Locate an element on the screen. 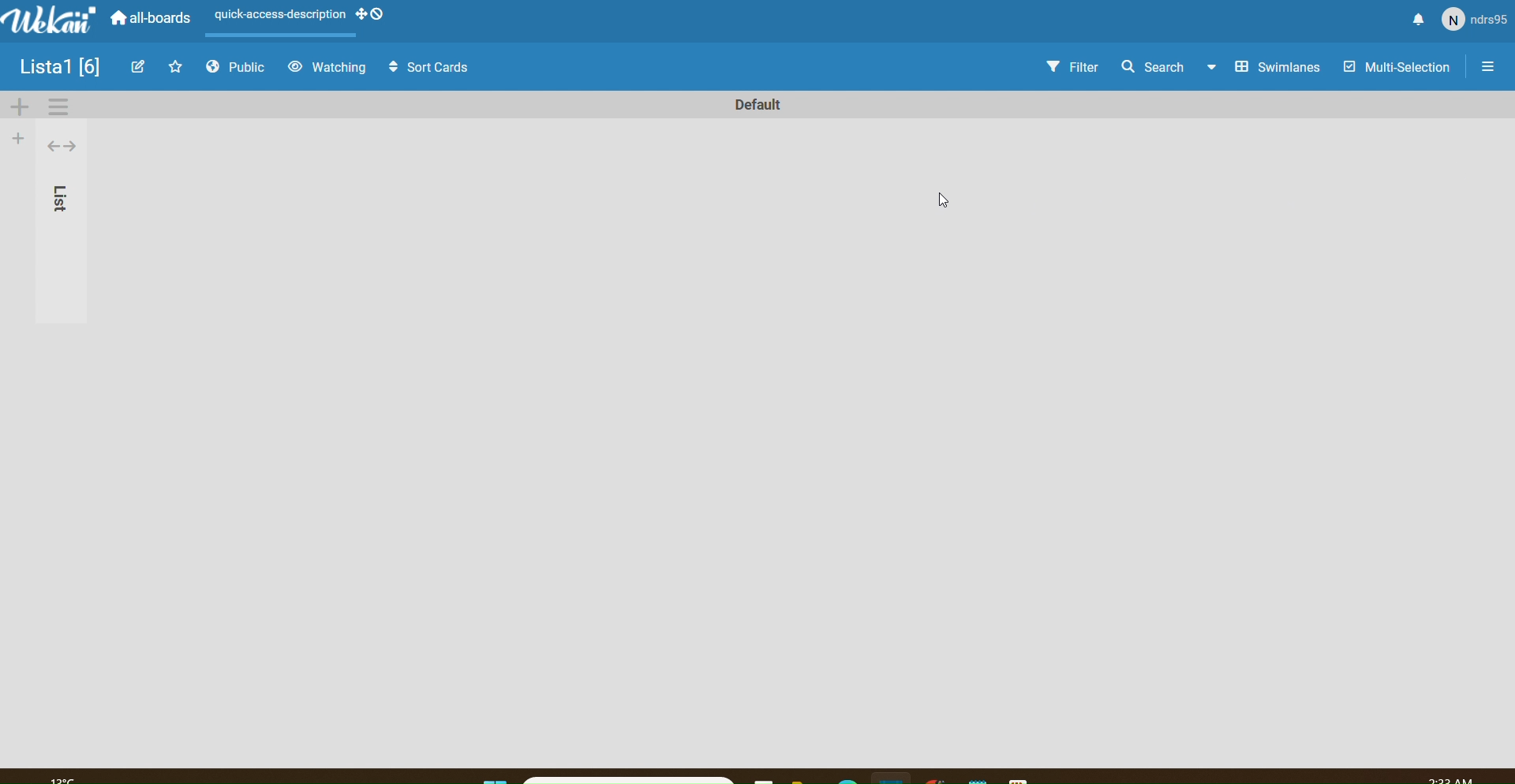 The height and width of the screenshot is (784, 1515). Image is located at coordinates (65, 67).